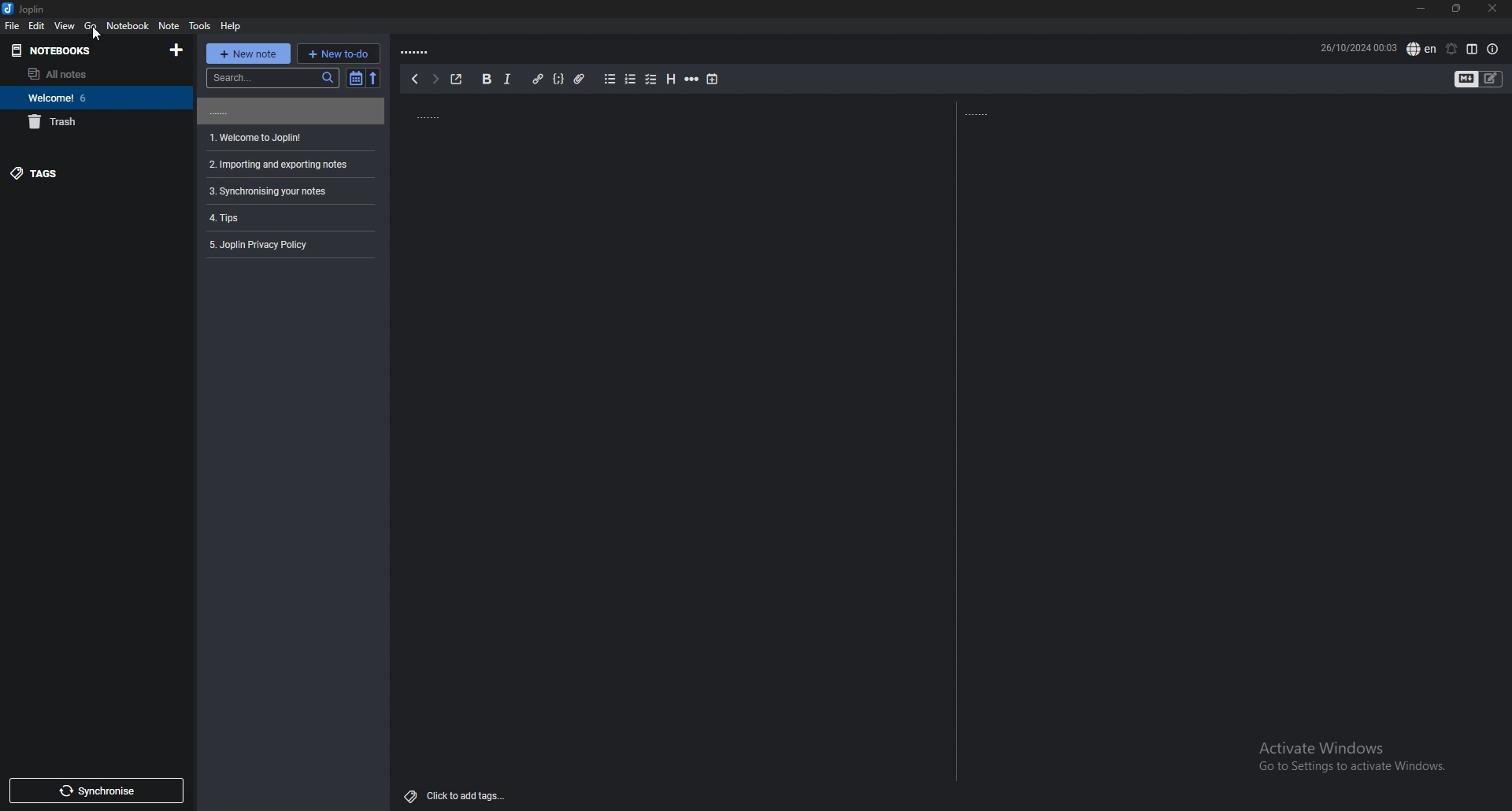 The width and height of the screenshot is (1512, 811). What do you see at coordinates (87, 173) in the screenshot?
I see `tags` at bounding box center [87, 173].